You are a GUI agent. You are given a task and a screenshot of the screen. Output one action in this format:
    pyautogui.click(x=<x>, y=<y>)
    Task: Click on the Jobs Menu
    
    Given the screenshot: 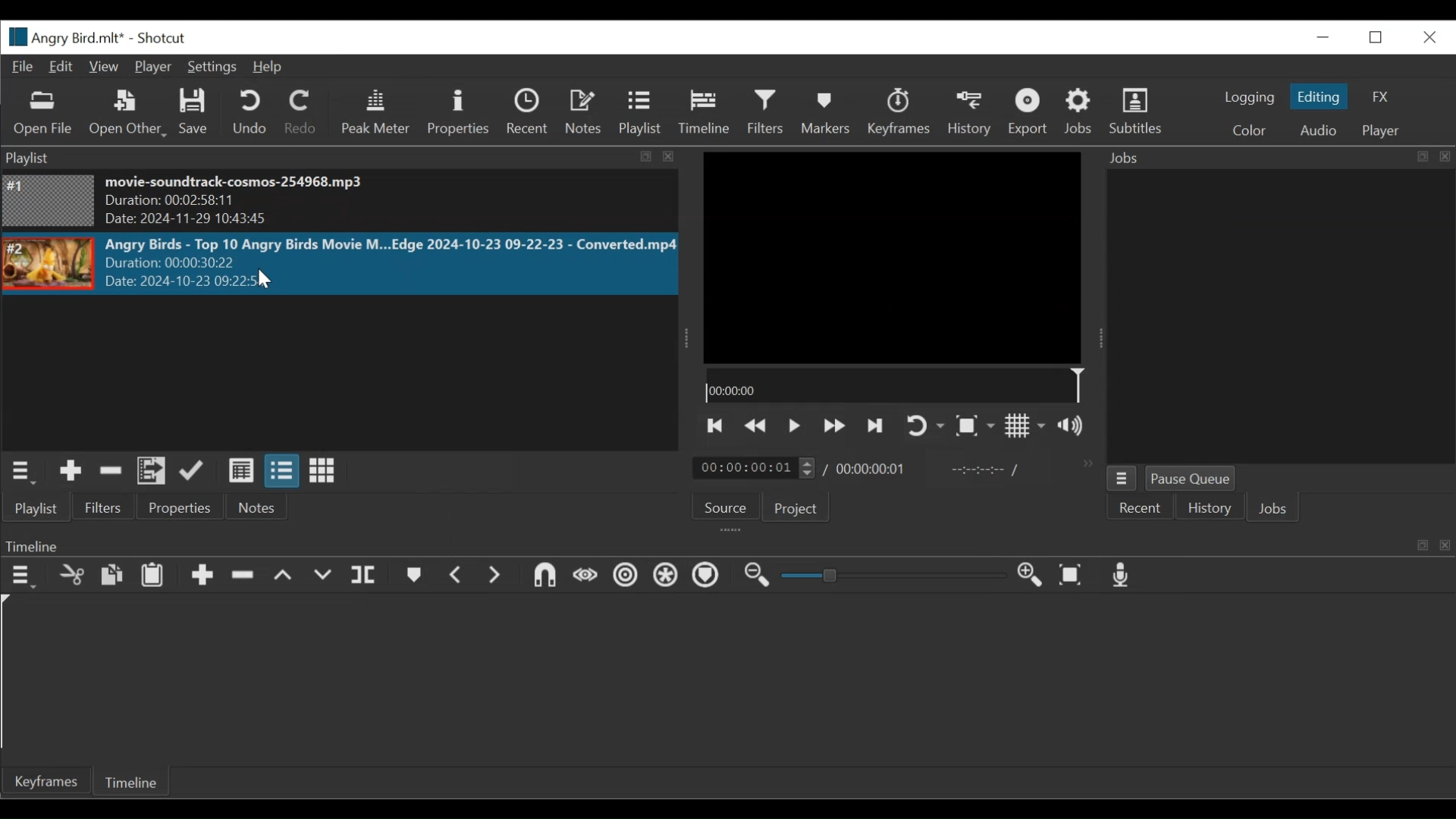 What is the action you would take?
    pyautogui.click(x=1122, y=478)
    